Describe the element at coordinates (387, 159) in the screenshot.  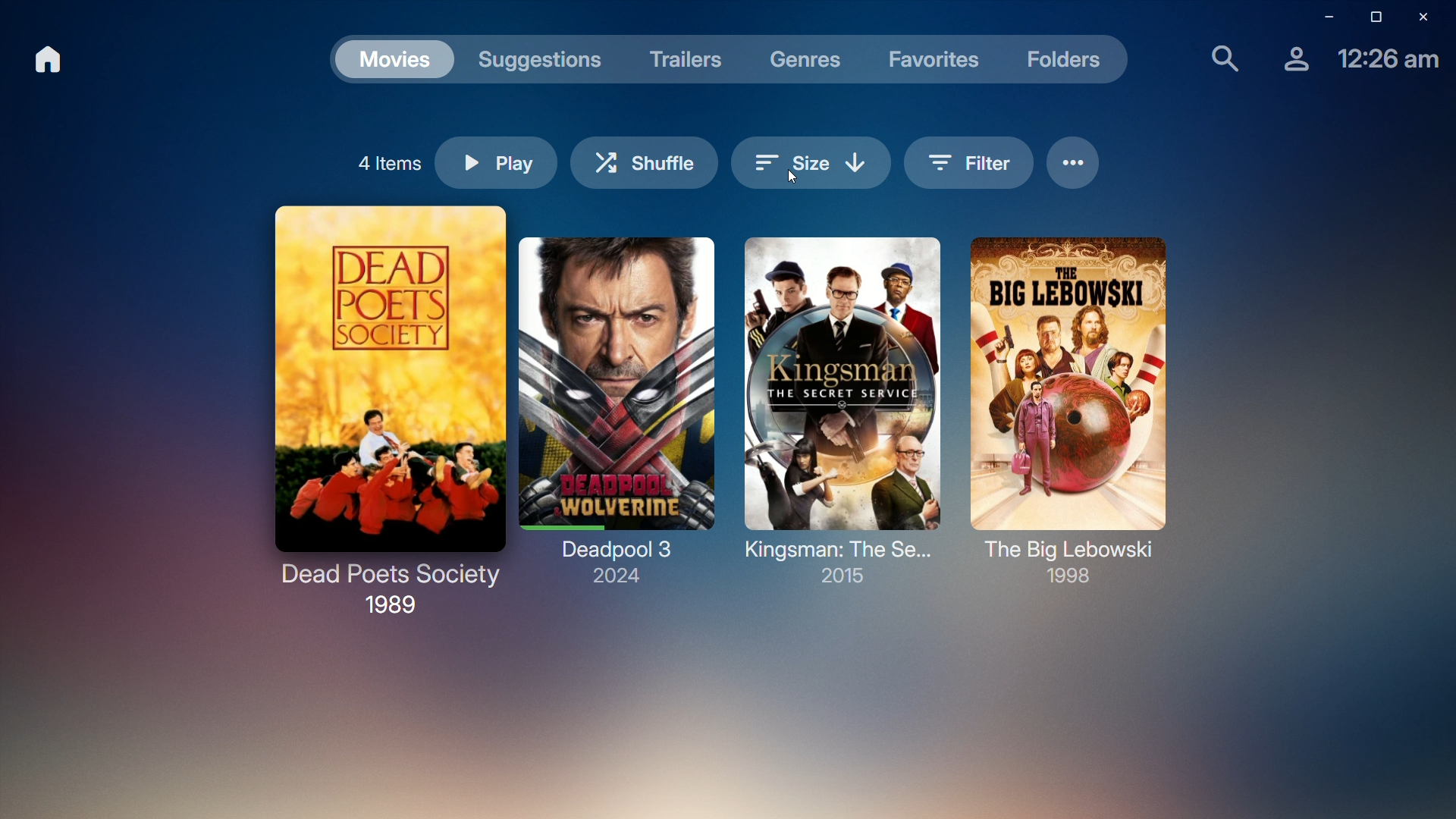
I see `4 Items` at that location.